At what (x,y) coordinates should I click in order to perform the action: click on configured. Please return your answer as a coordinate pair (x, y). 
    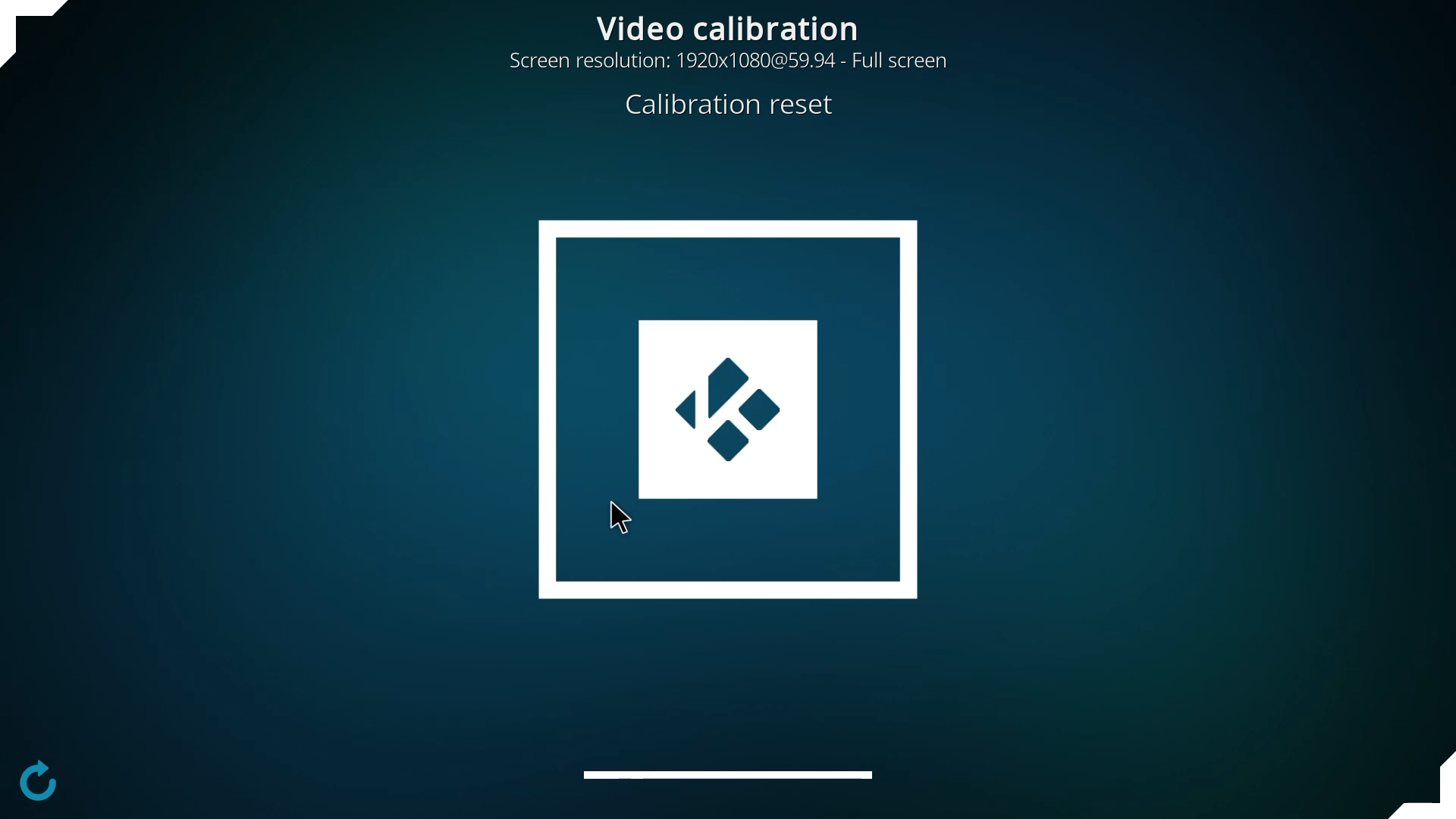
    Looking at the image, I should click on (726, 441).